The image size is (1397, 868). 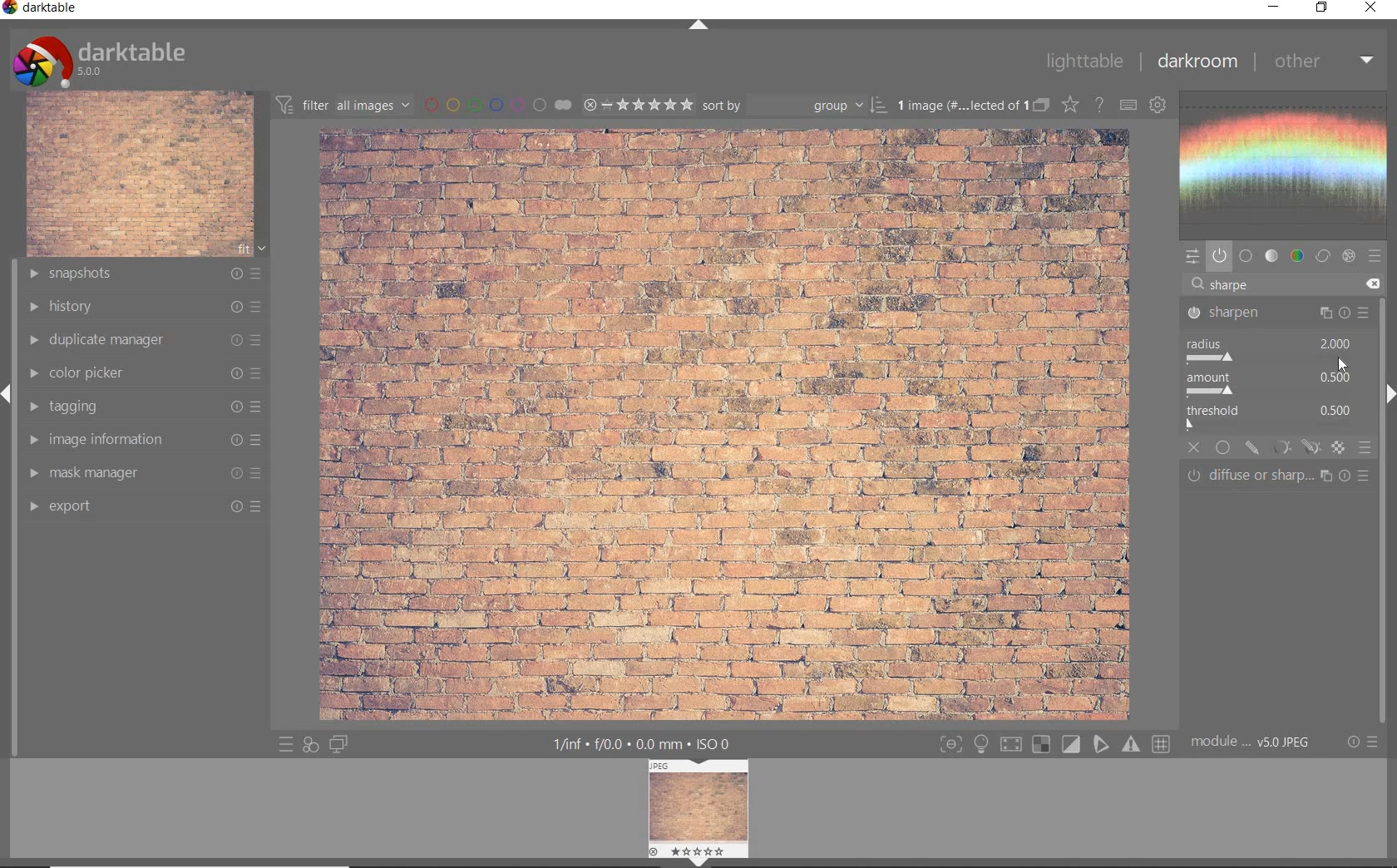 What do you see at coordinates (146, 374) in the screenshot?
I see `color picker` at bounding box center [146, 374].